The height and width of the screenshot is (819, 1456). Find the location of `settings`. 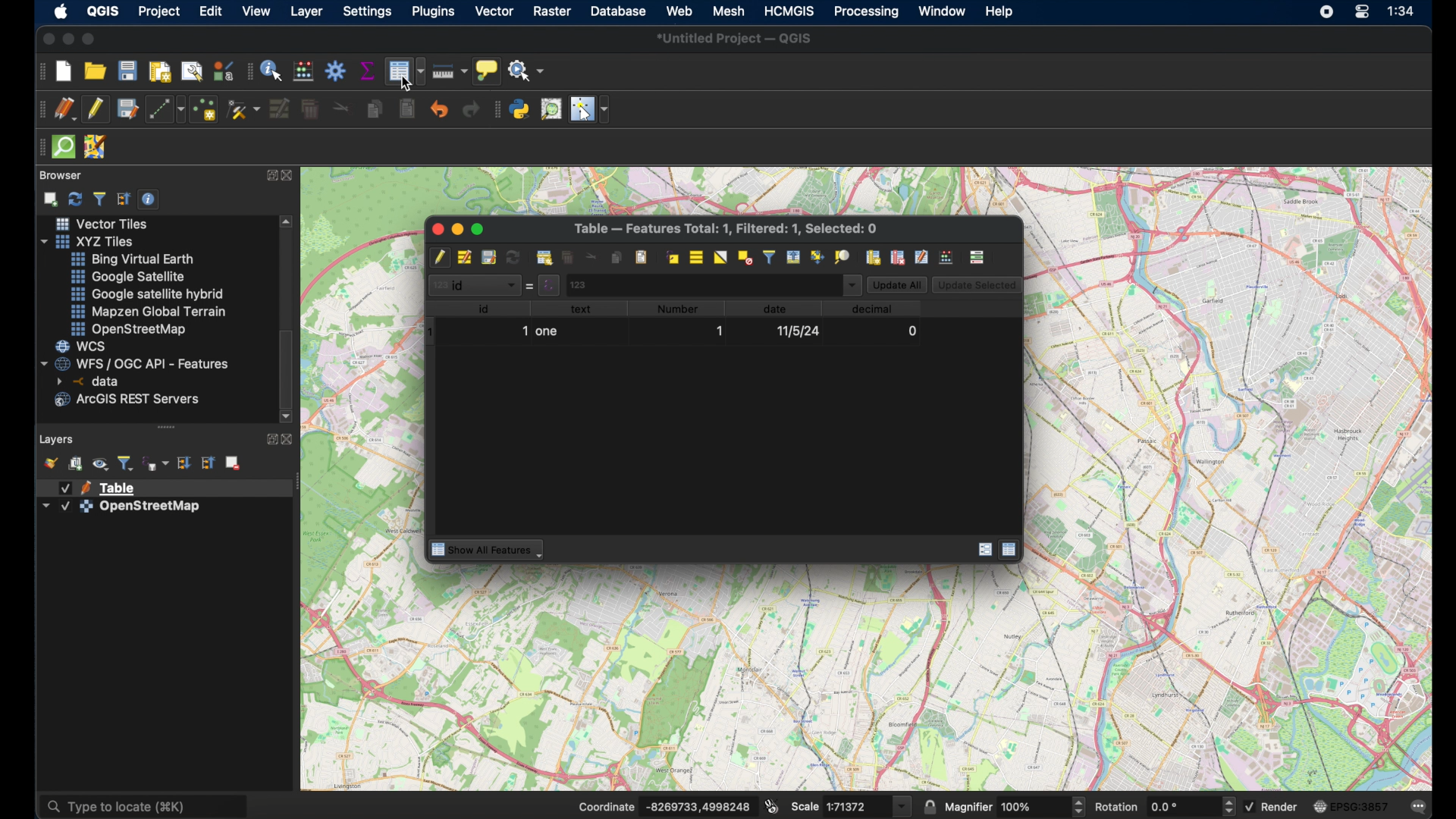

settings is located at coordinates (368, 12).